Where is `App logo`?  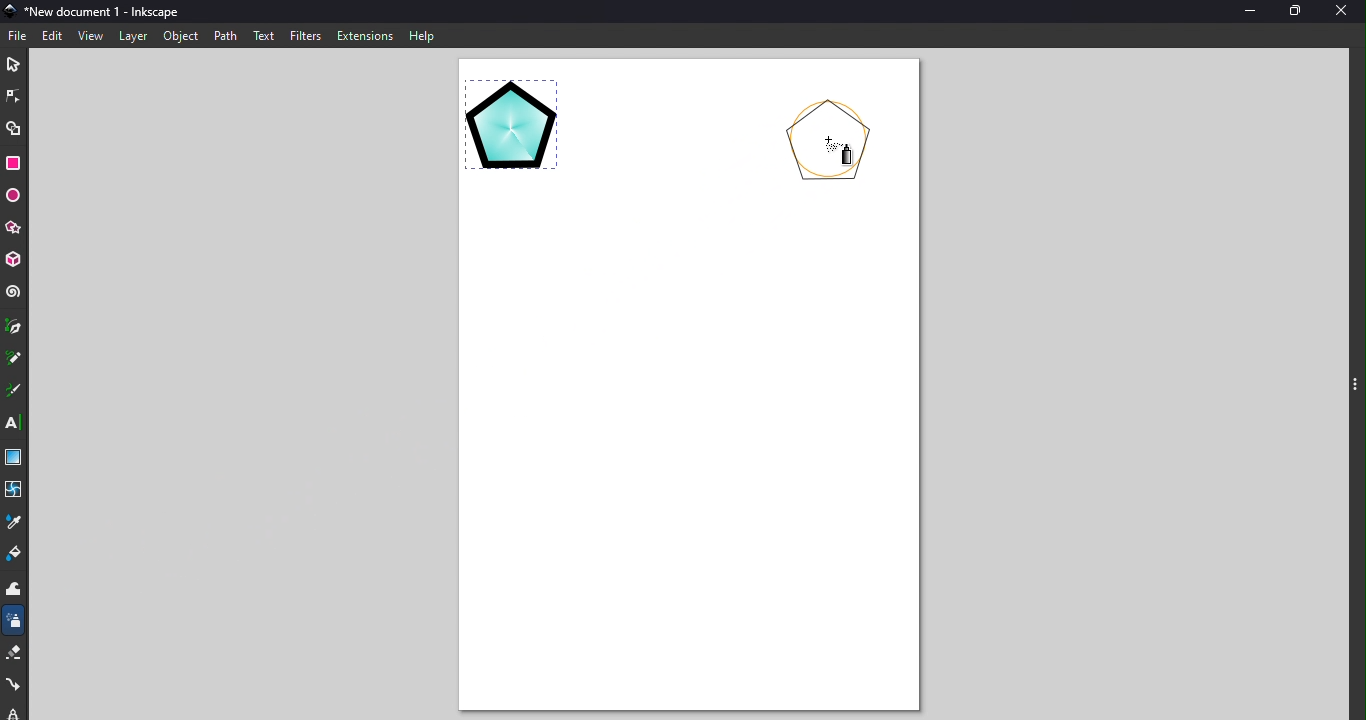 App logo is located at coordinates (9, 9).